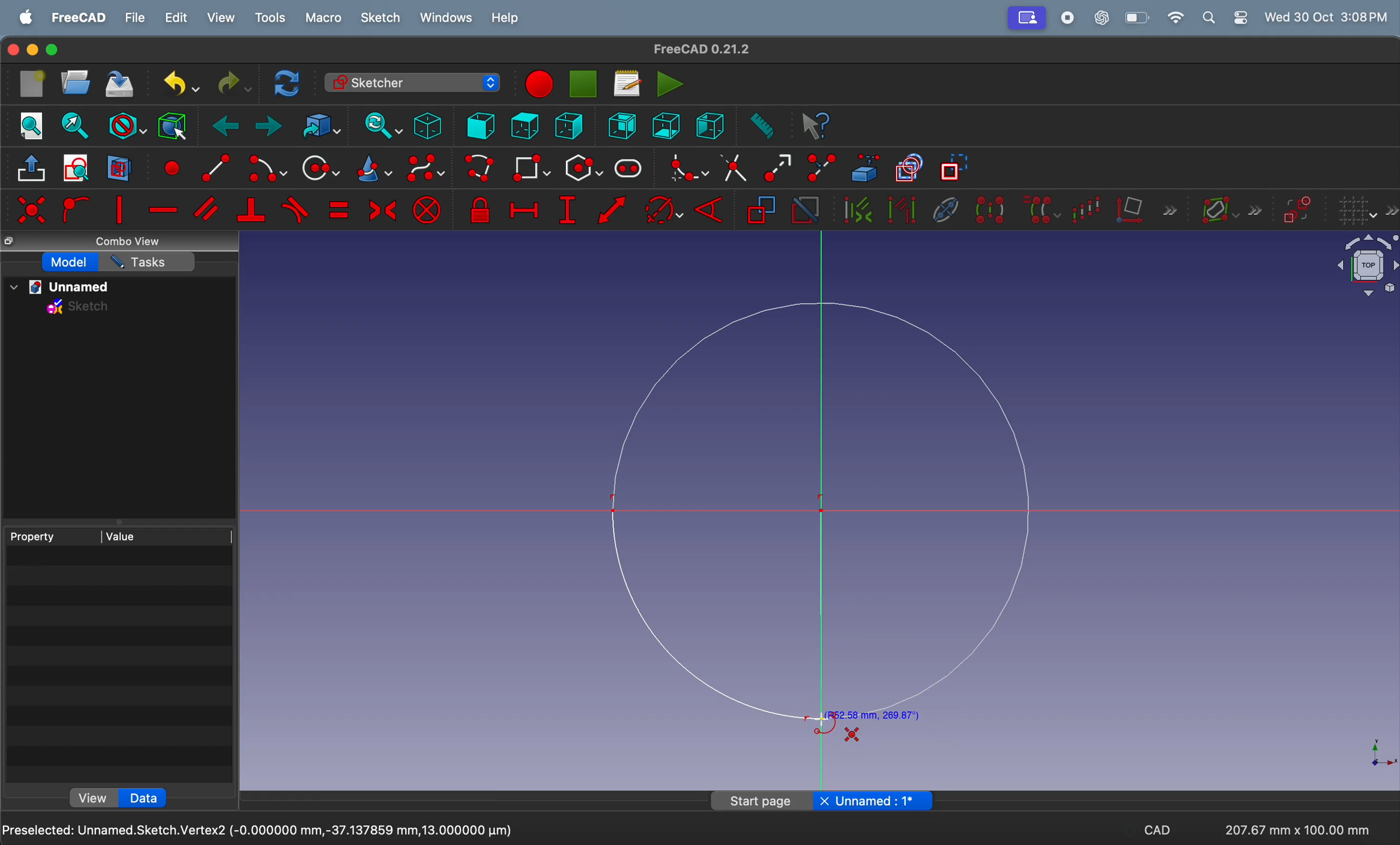 This screenshot has height=845, width=1400. I want to click on undo, so click(176, 83).